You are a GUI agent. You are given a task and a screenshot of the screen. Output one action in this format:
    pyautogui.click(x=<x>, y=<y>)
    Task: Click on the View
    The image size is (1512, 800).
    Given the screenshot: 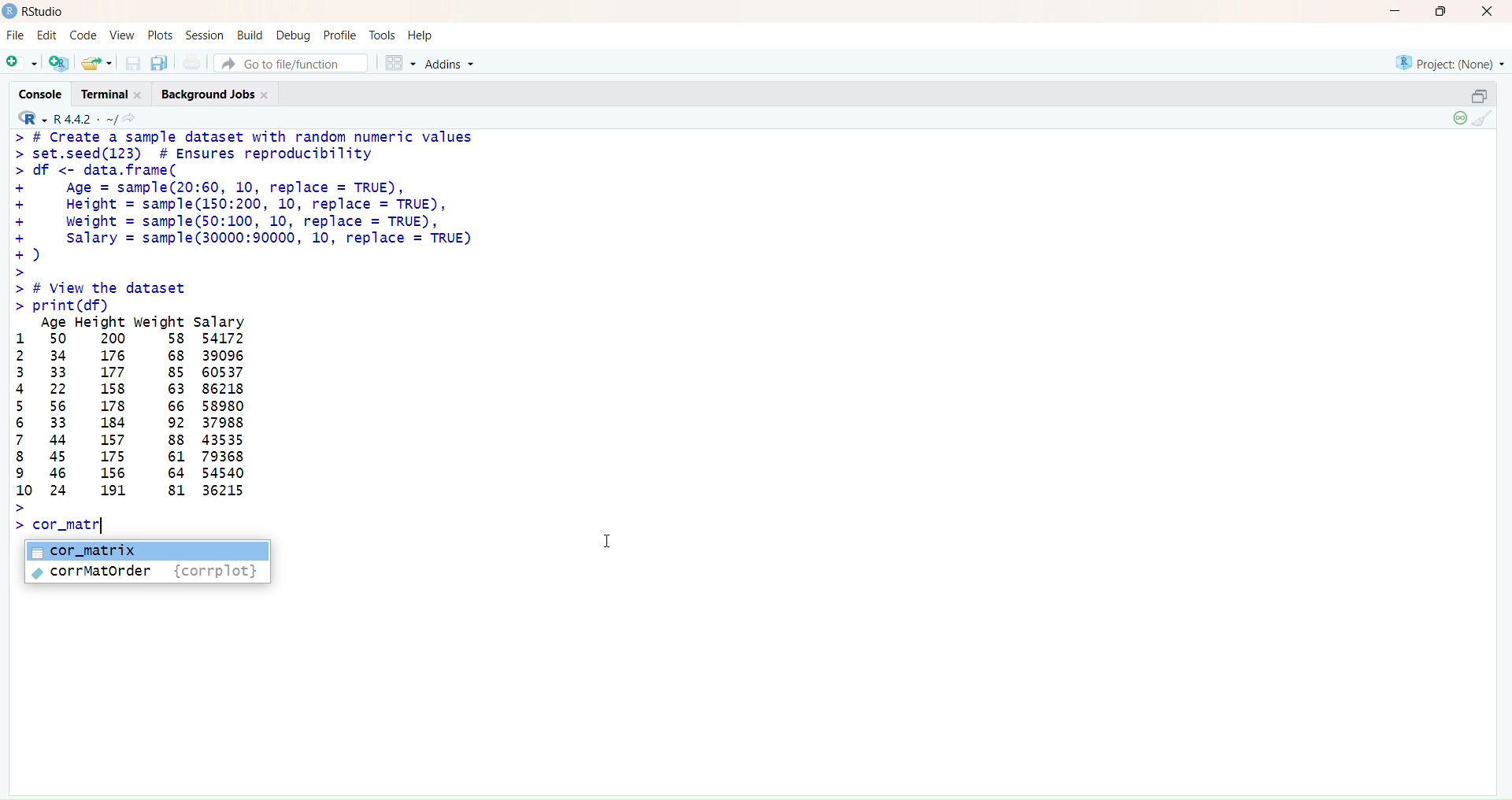 What is the action you would take?
    pyautogui.click(x=121, y=35)
    